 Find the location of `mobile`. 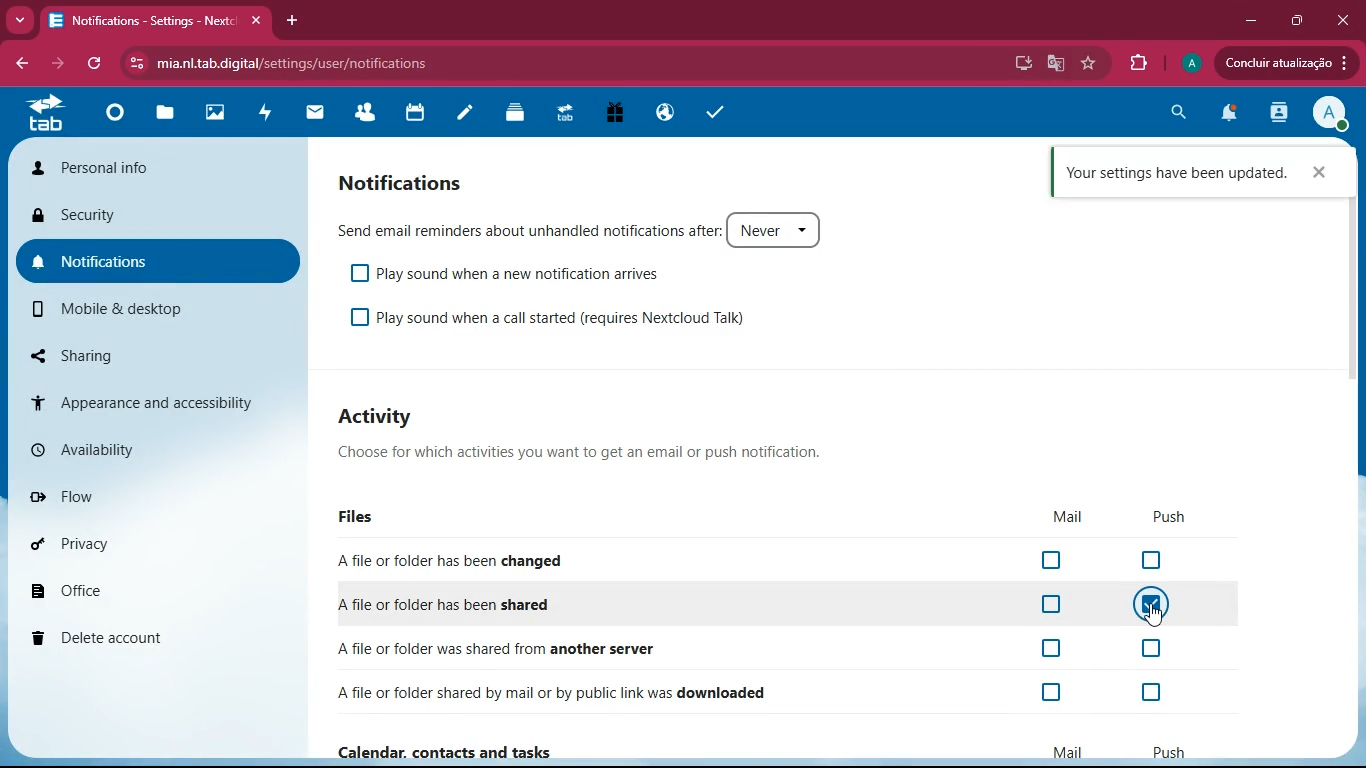

mobile is located at coordinates (129, 306).